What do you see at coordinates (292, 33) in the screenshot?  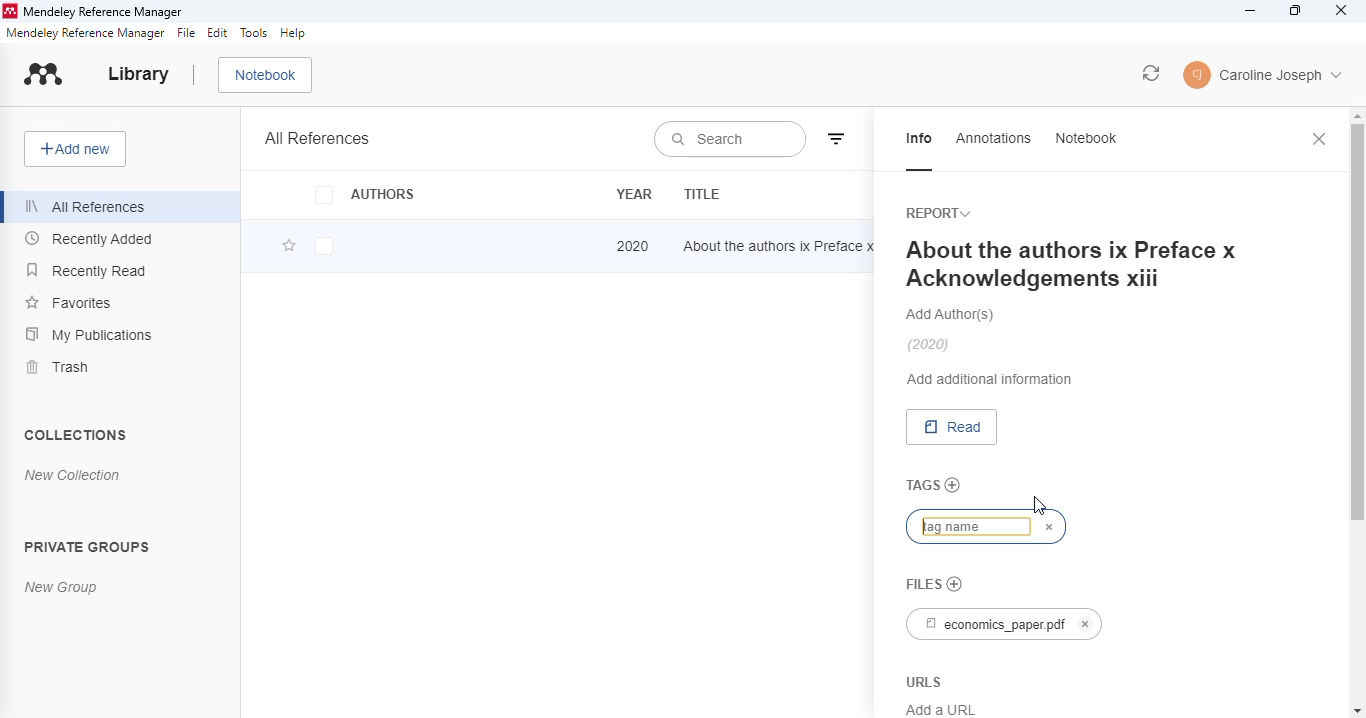 I see `help` at bounding box center [292, 33].